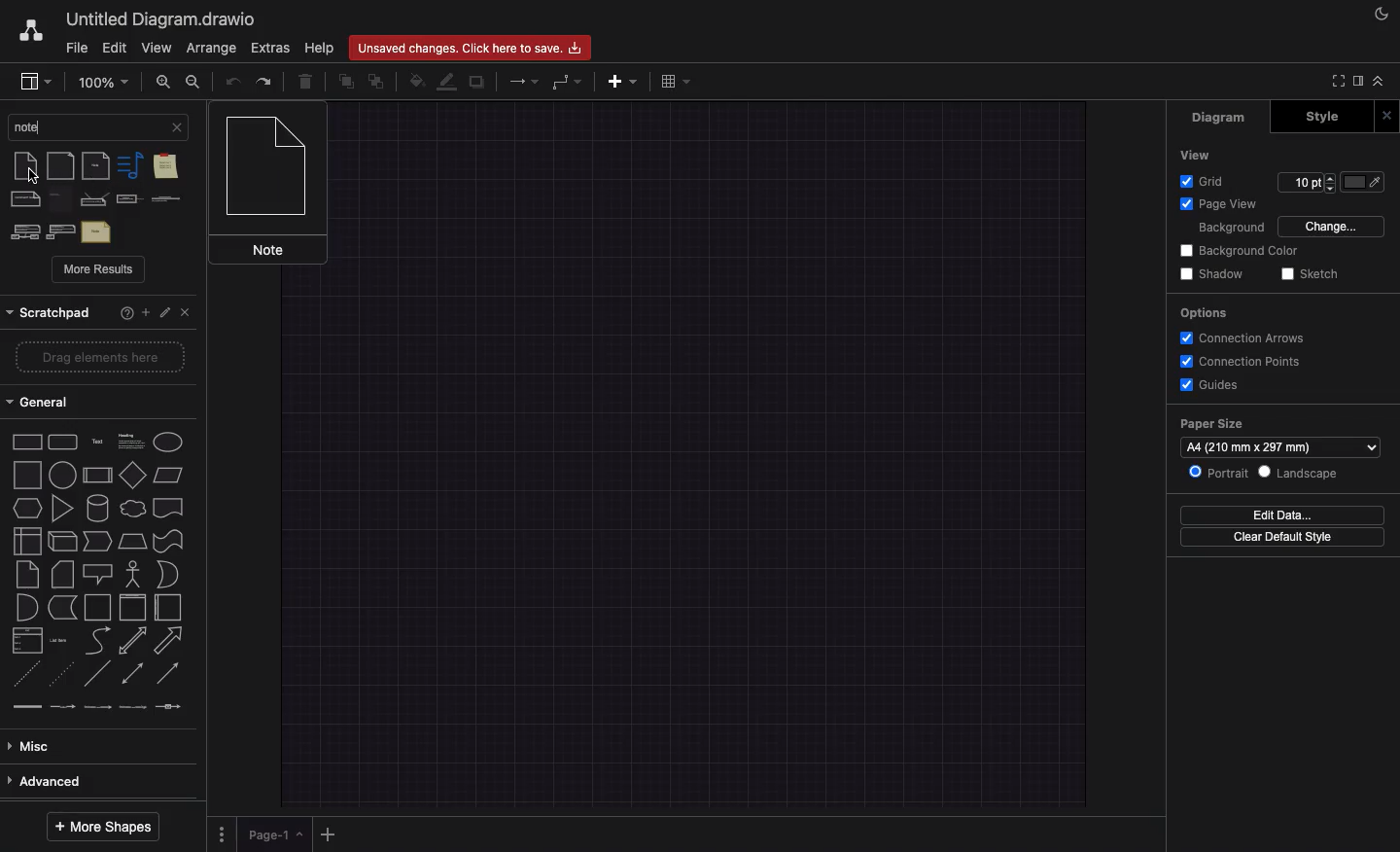 This screenshot has width=1400, height=852. What do you see at coordinates (27, 509) in the screenshot?
I see `hexagon` at bounding box center [27, 509].